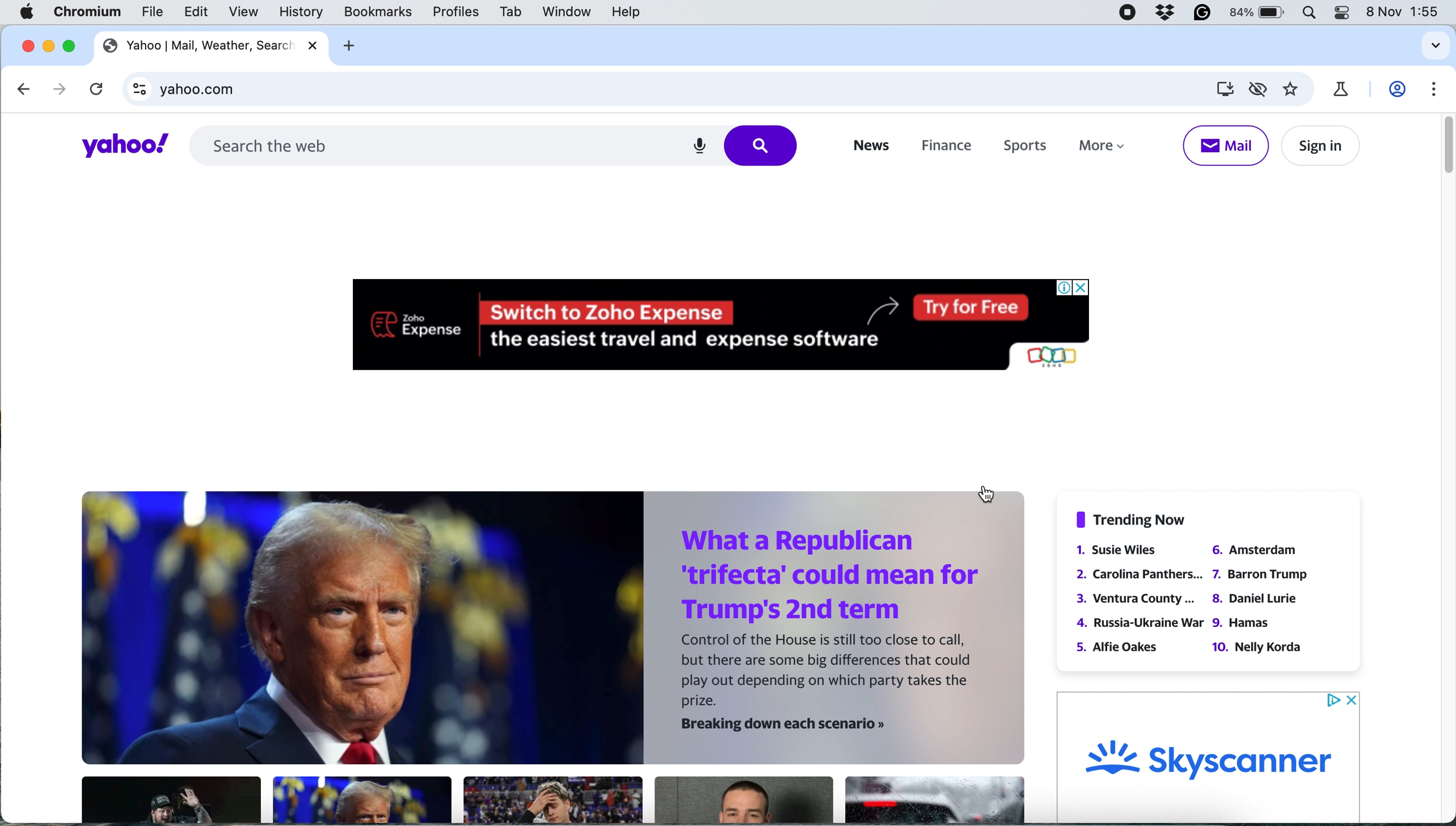  Describe the element at coordinates (1253, 549) in the screenshot. I see `Amsterdam` at that location.